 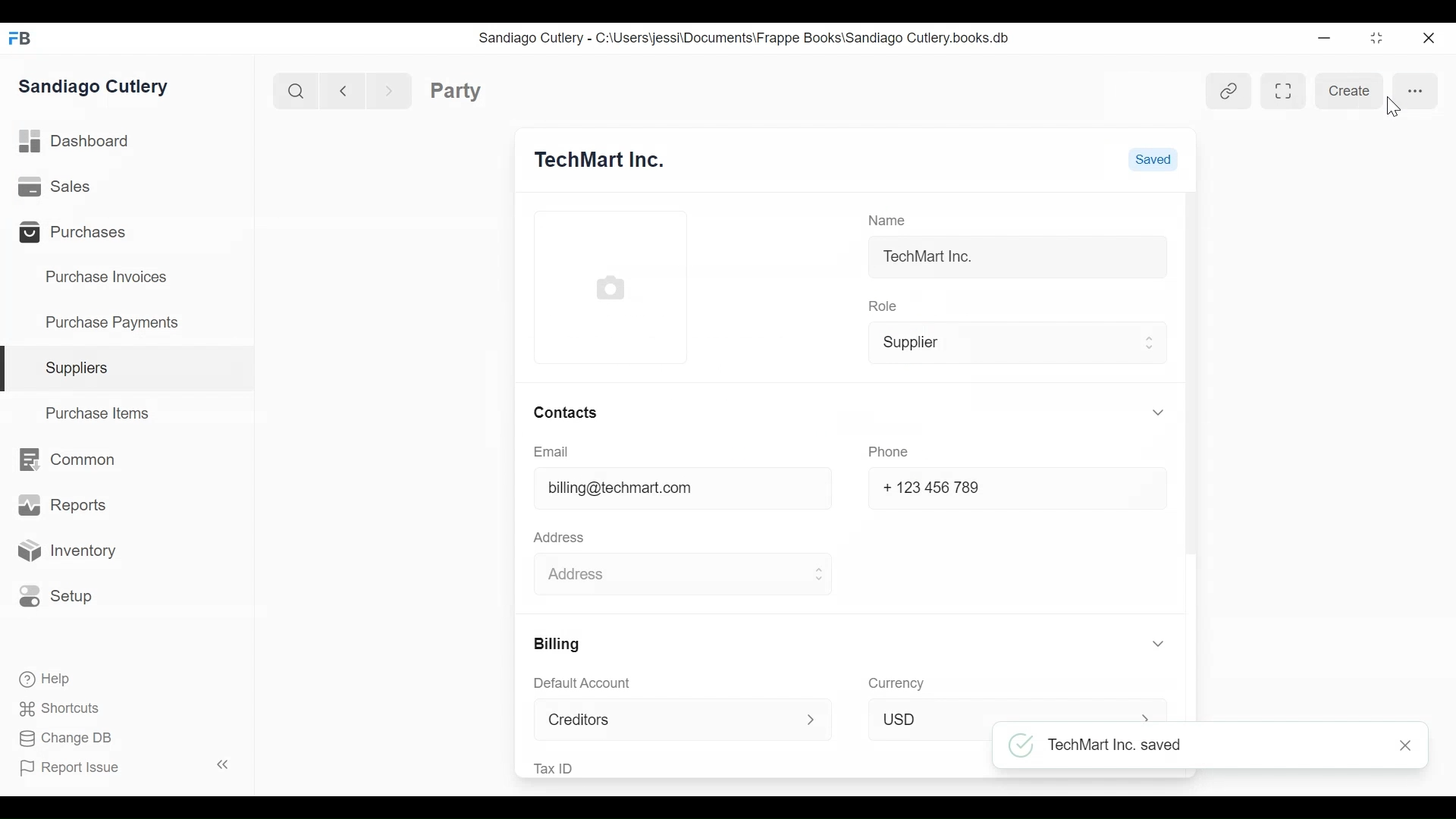 I want to click on  Help, so click(x=51, y=679).